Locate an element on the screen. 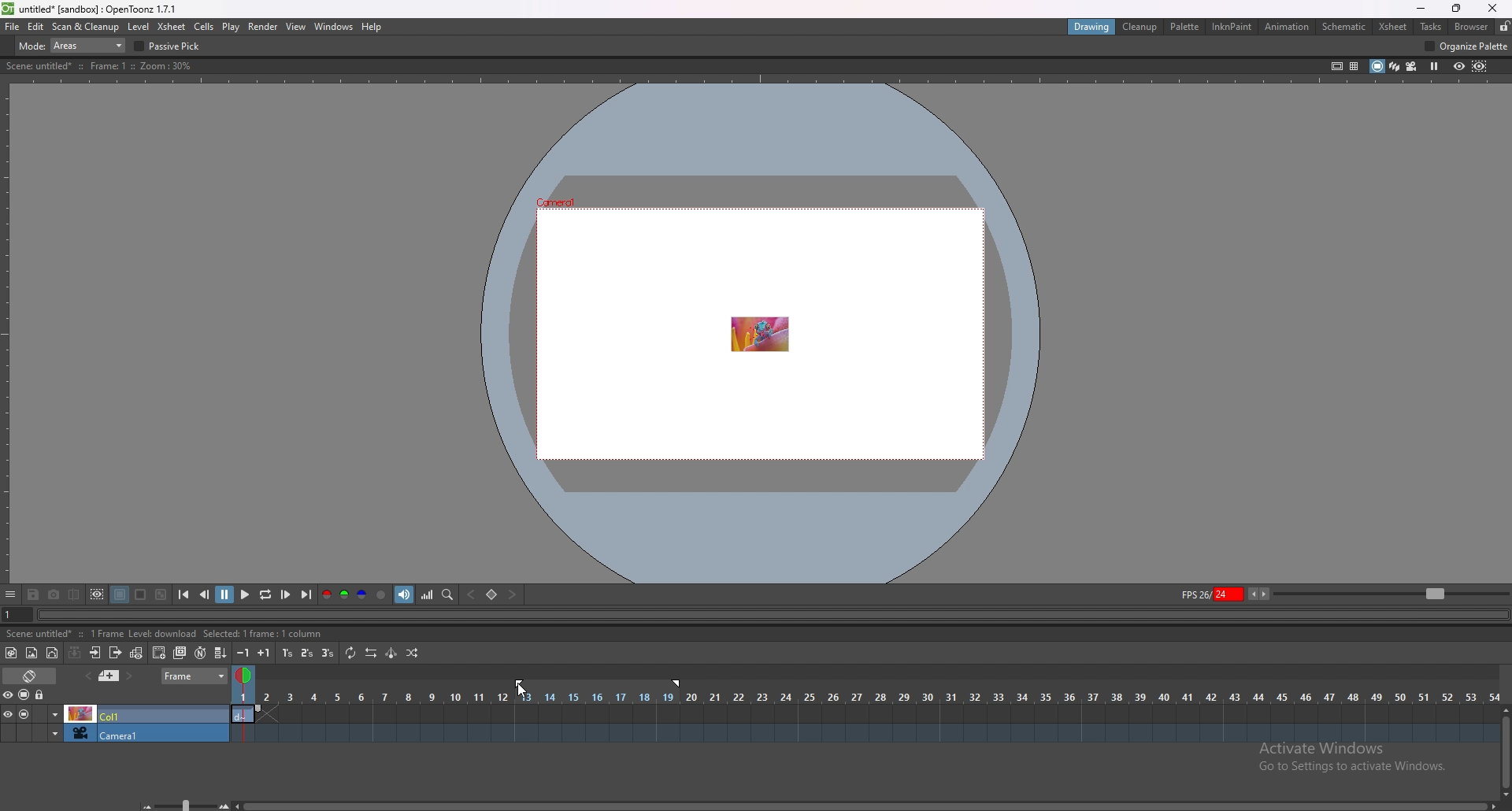  increase step is located at coordinates (264, 653).